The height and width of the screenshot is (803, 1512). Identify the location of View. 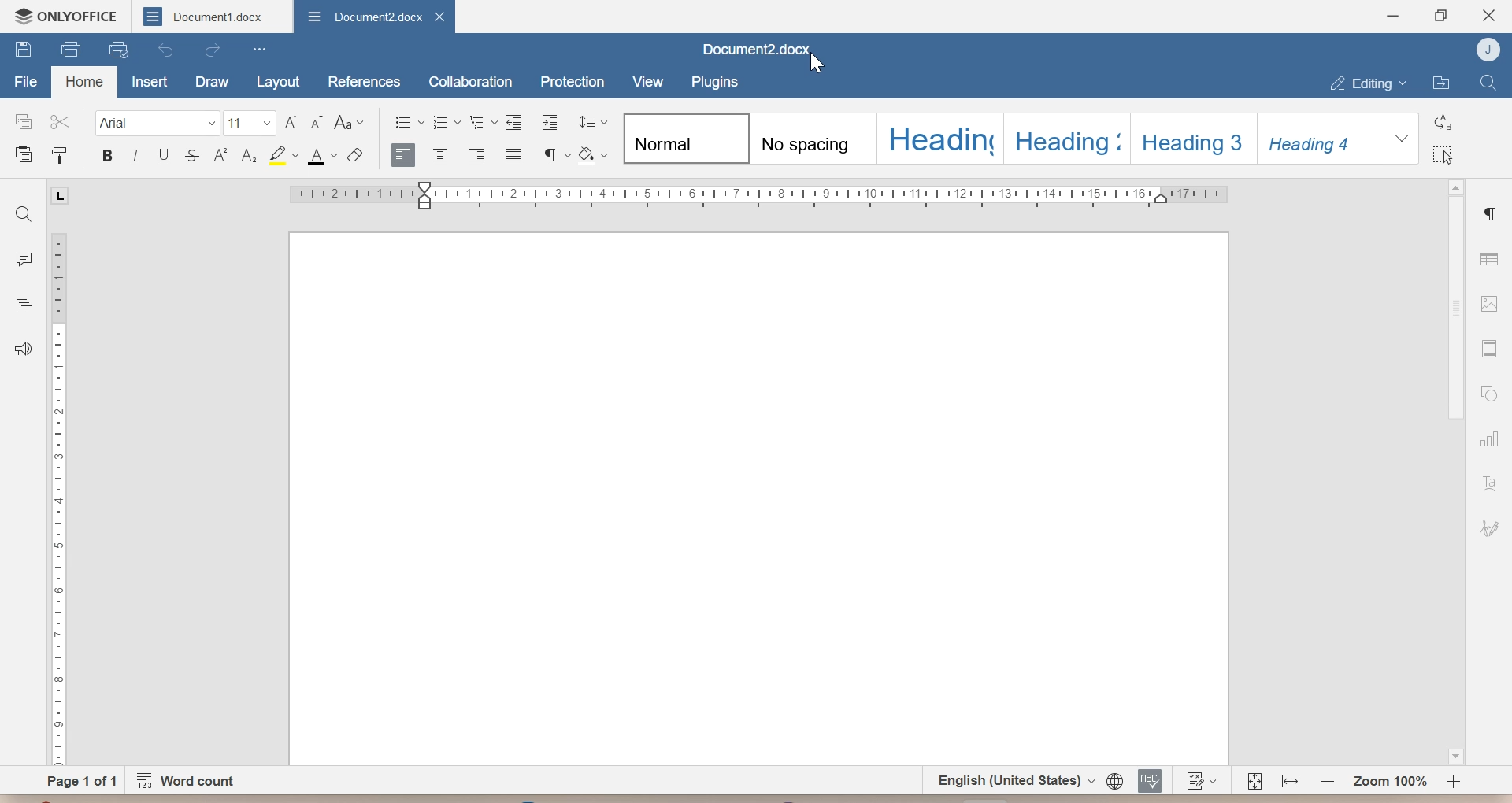
(646, 80).